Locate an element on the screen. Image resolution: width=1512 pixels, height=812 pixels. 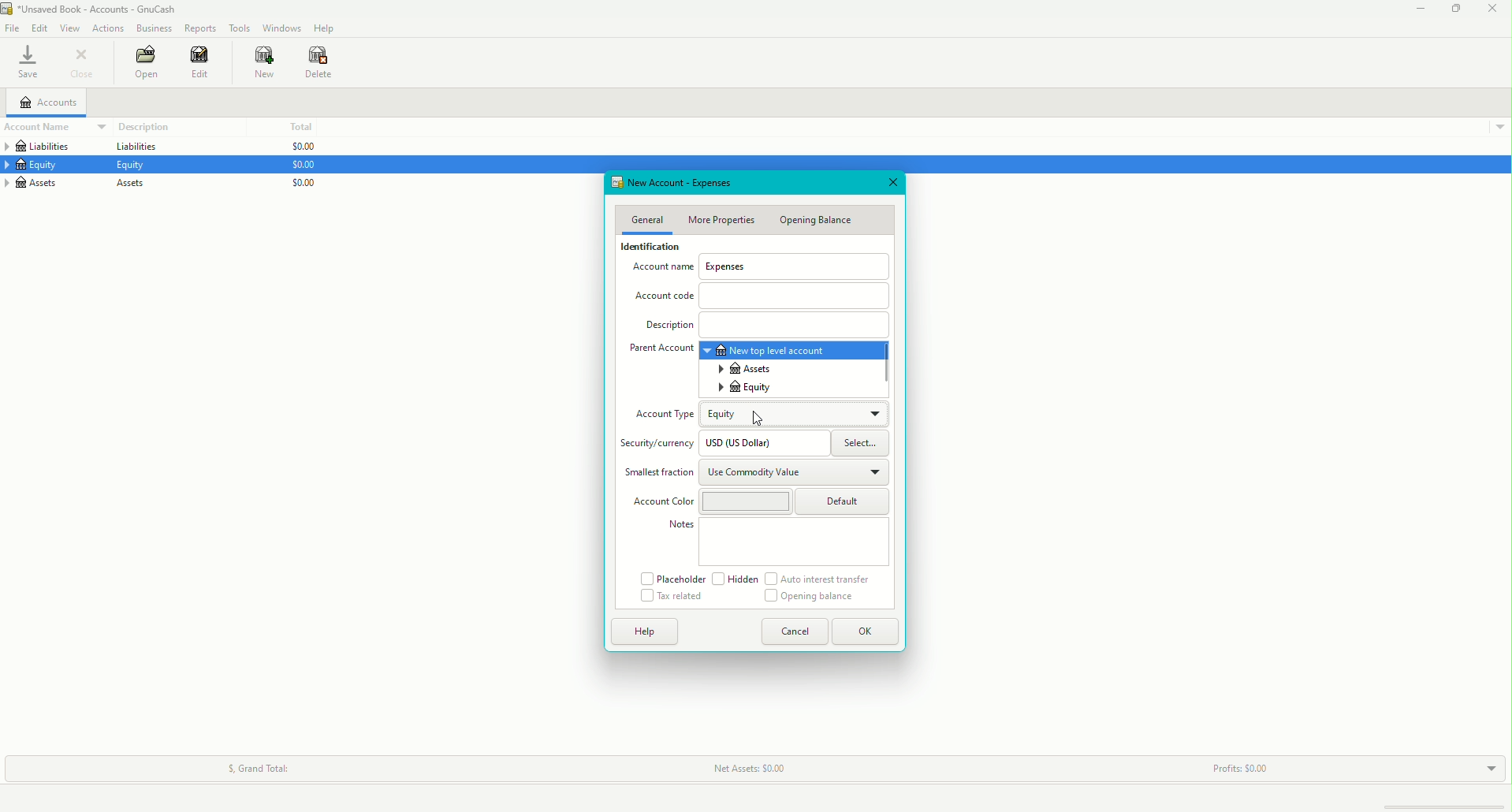
Save is located at coordinates (27, 63).